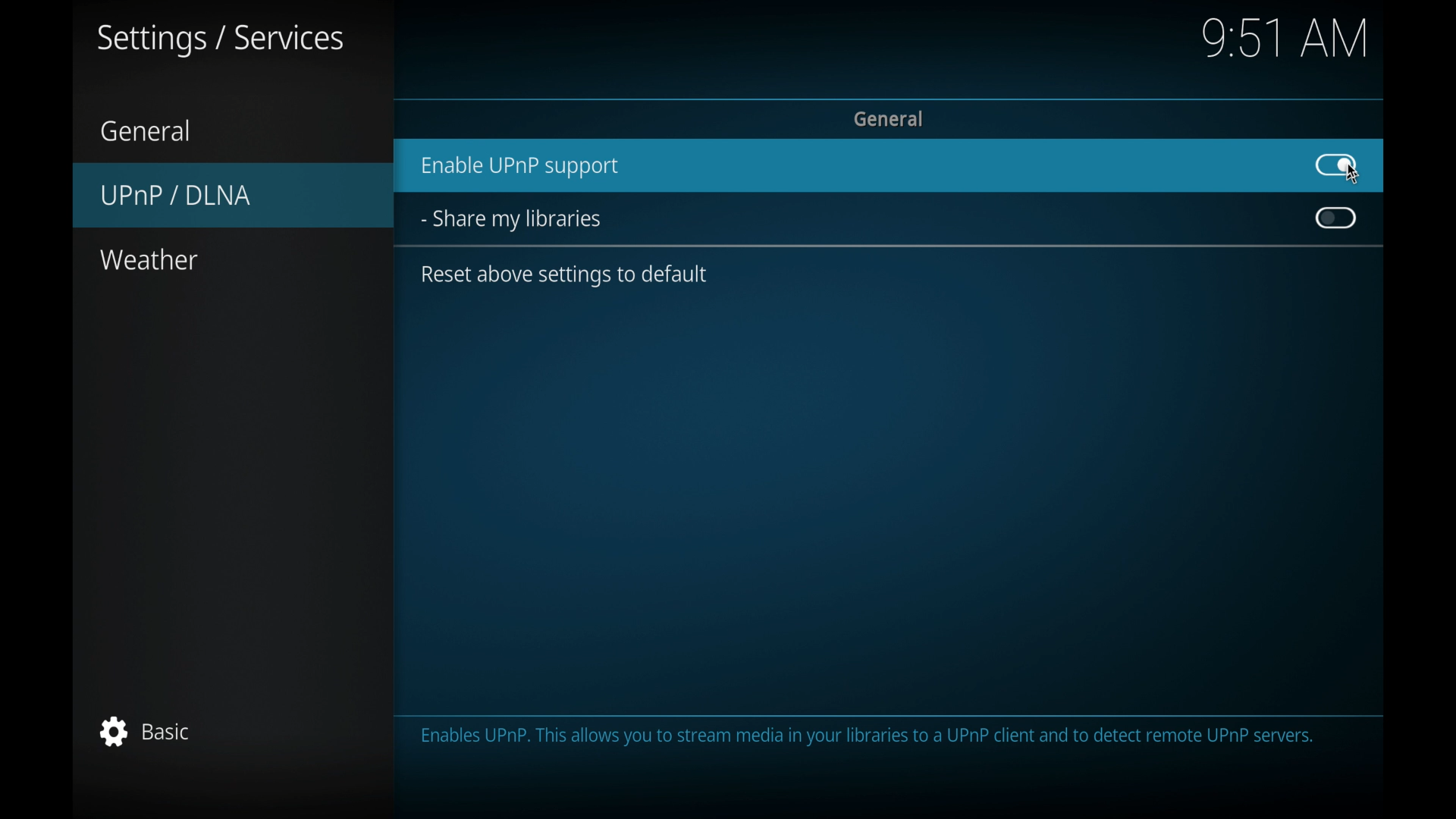  I want to click on share my libraries, so click(510, 221).